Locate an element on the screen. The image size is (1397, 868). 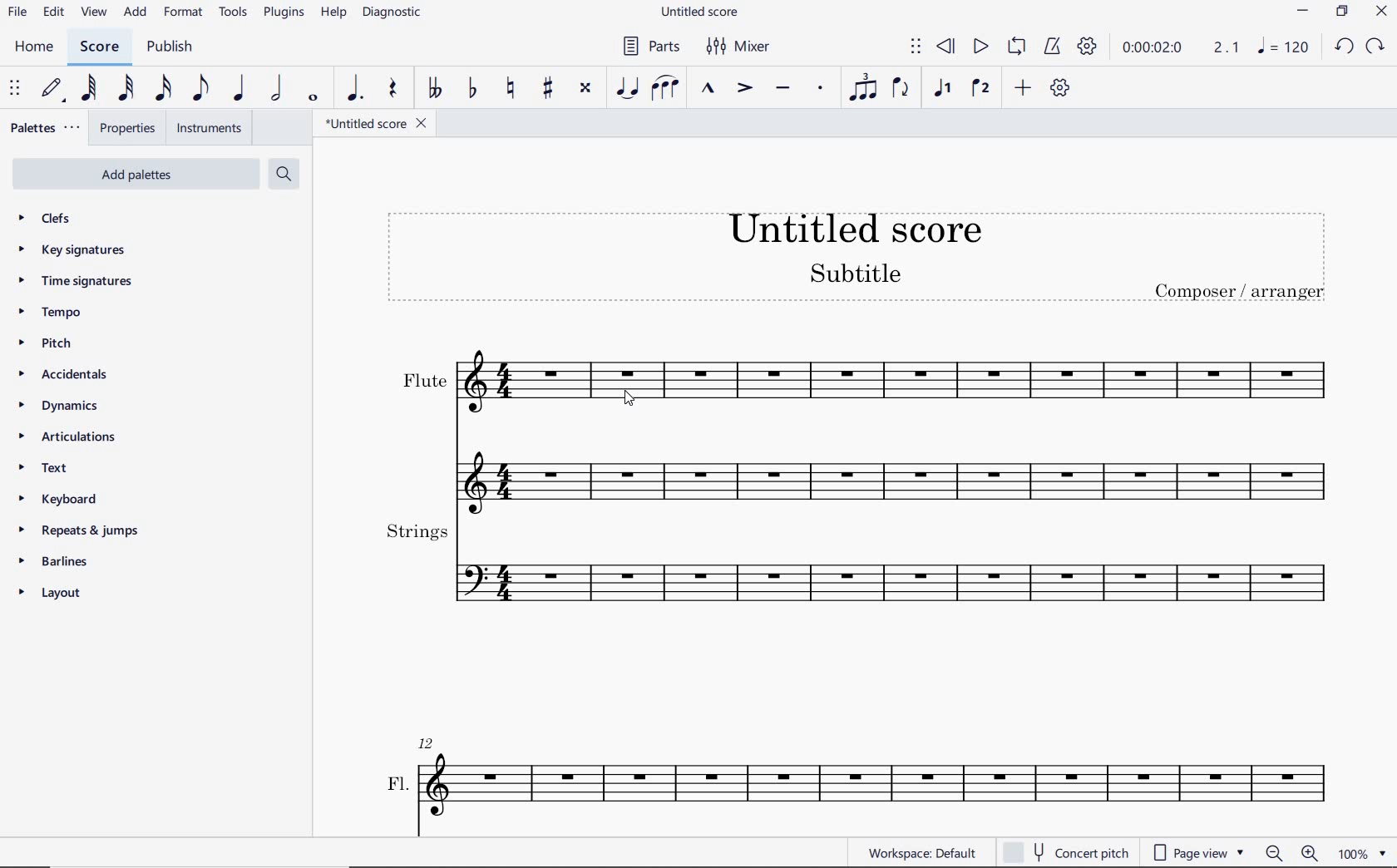
FILE NAME is located at coordinates (704, 12).